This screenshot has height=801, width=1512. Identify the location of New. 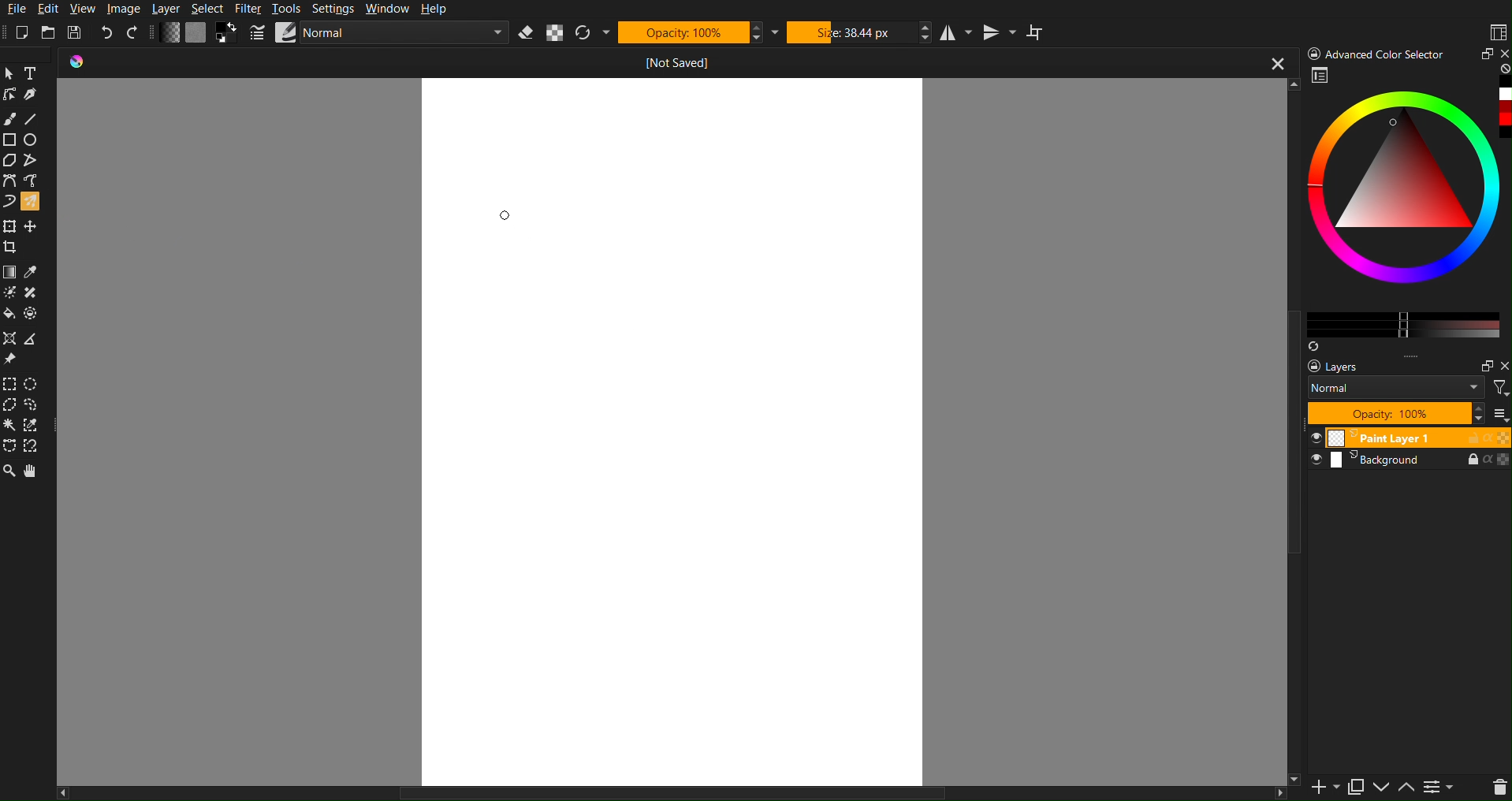
(27, 30).